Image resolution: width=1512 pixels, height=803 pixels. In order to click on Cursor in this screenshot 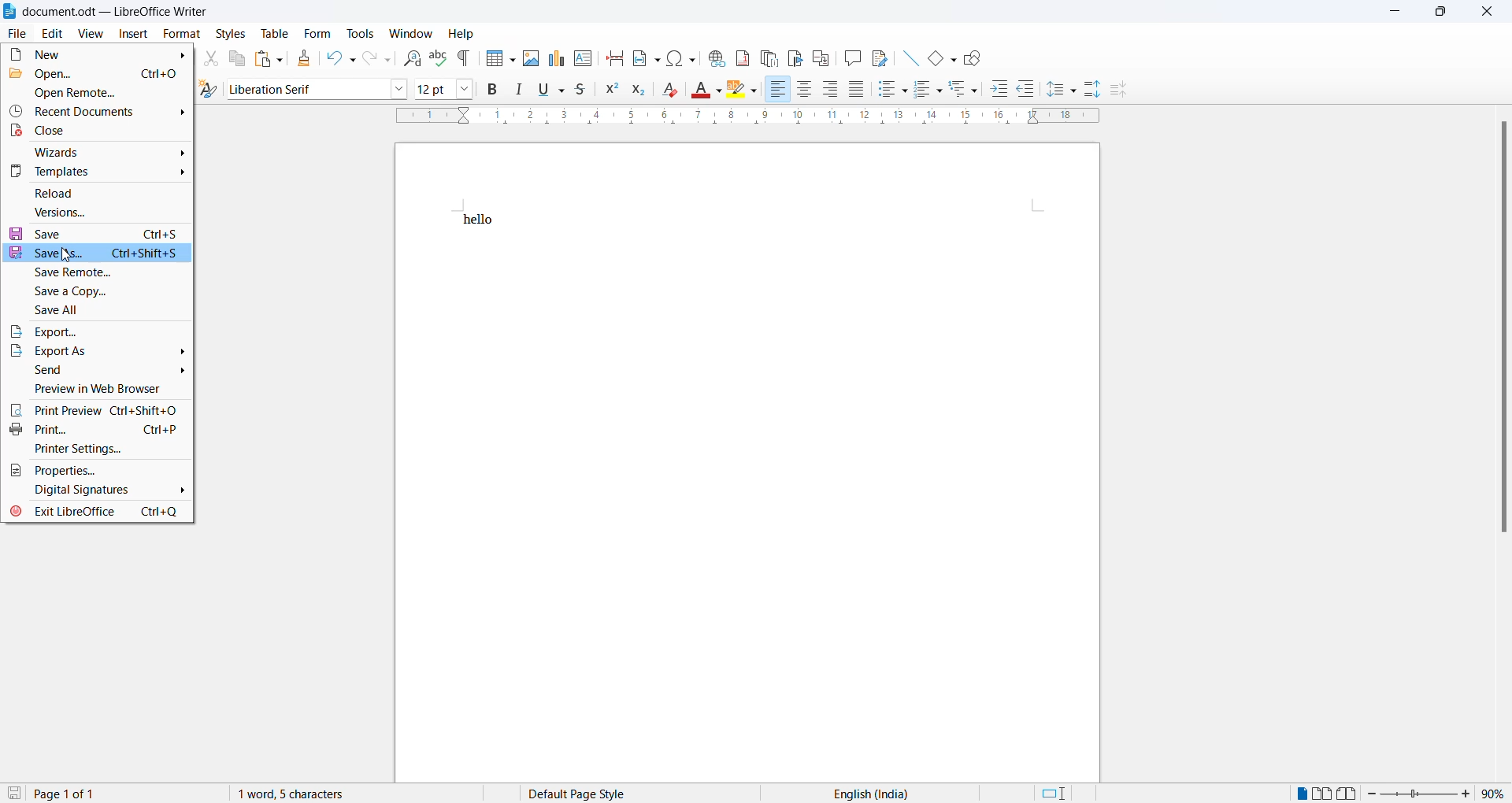, I will do `click(69, 254)`.